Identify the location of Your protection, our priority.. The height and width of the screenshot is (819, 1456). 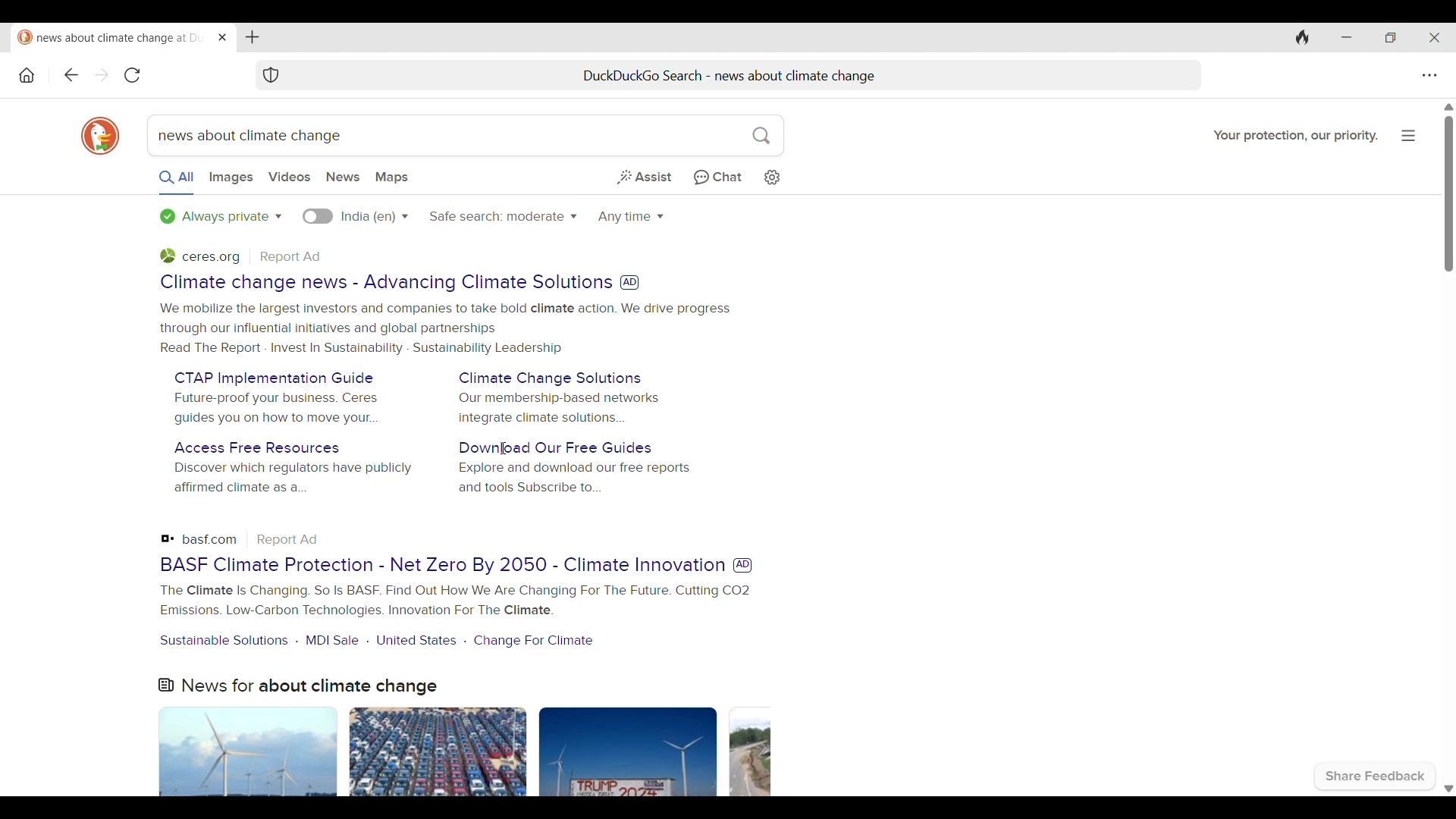
(1294, 136).